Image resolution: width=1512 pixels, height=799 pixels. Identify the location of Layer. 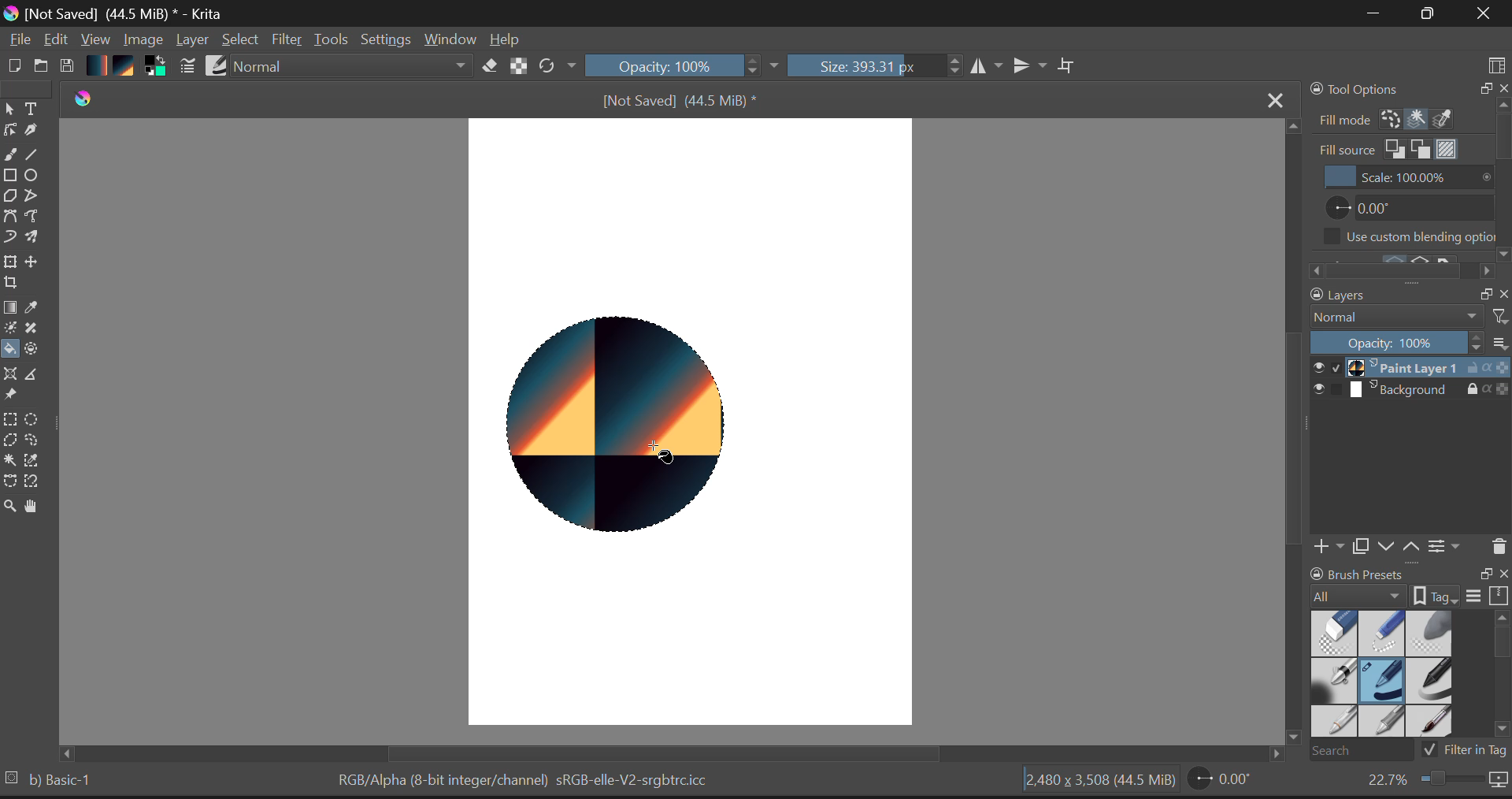
(192, 42).